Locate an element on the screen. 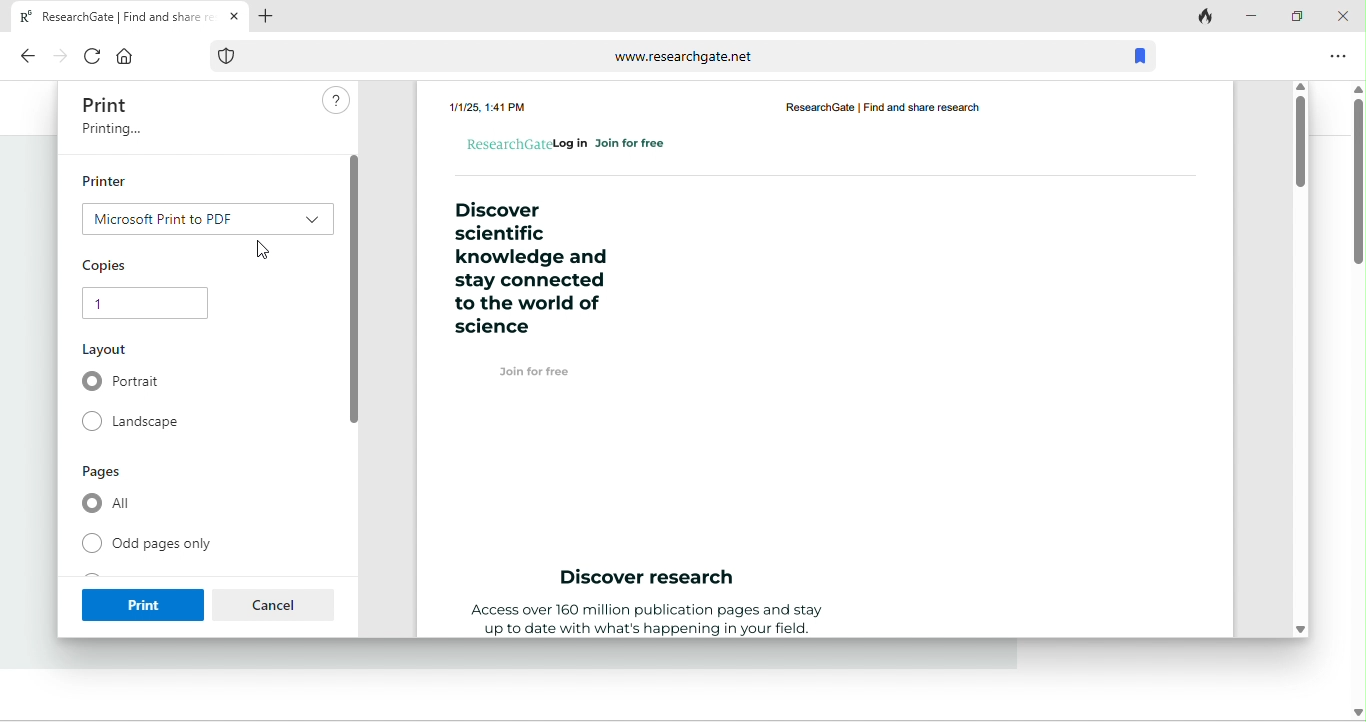 Image resolution: width=1366 pixels, height=722 pixels. landscape is located at coordinates (139, 423).